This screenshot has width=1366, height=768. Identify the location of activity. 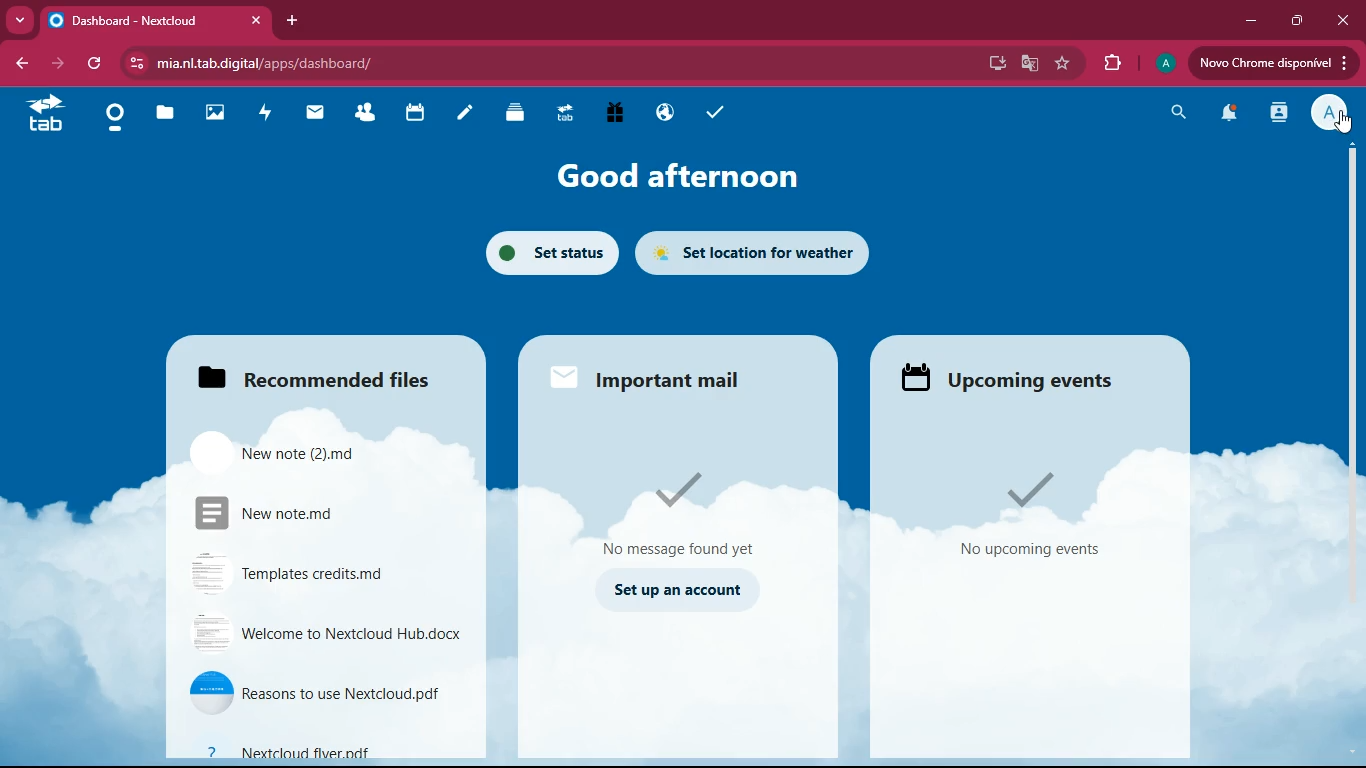
(262, 115).